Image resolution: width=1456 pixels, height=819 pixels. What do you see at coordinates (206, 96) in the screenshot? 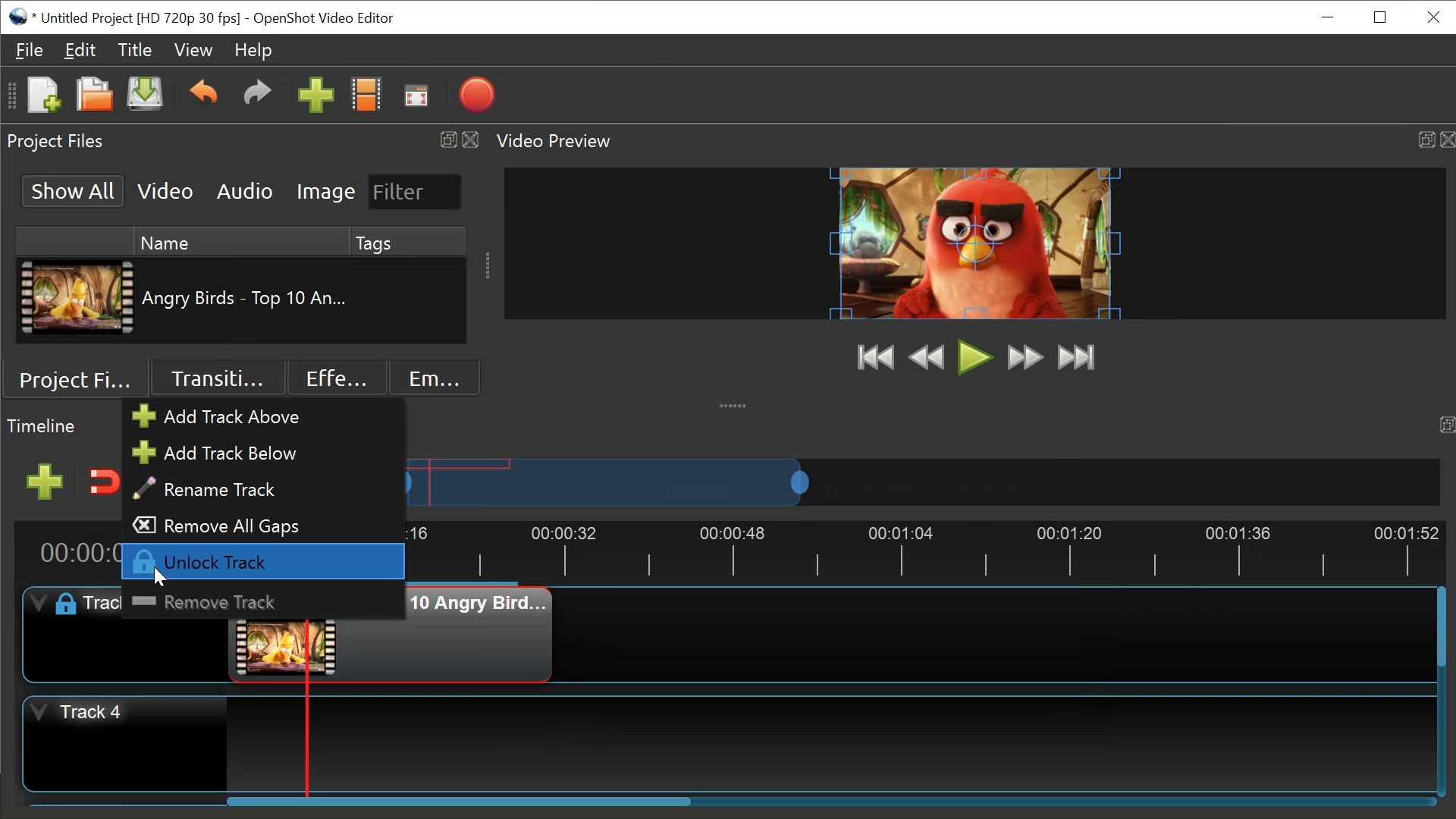
I see `Undo` at bounding box center [206, 96].